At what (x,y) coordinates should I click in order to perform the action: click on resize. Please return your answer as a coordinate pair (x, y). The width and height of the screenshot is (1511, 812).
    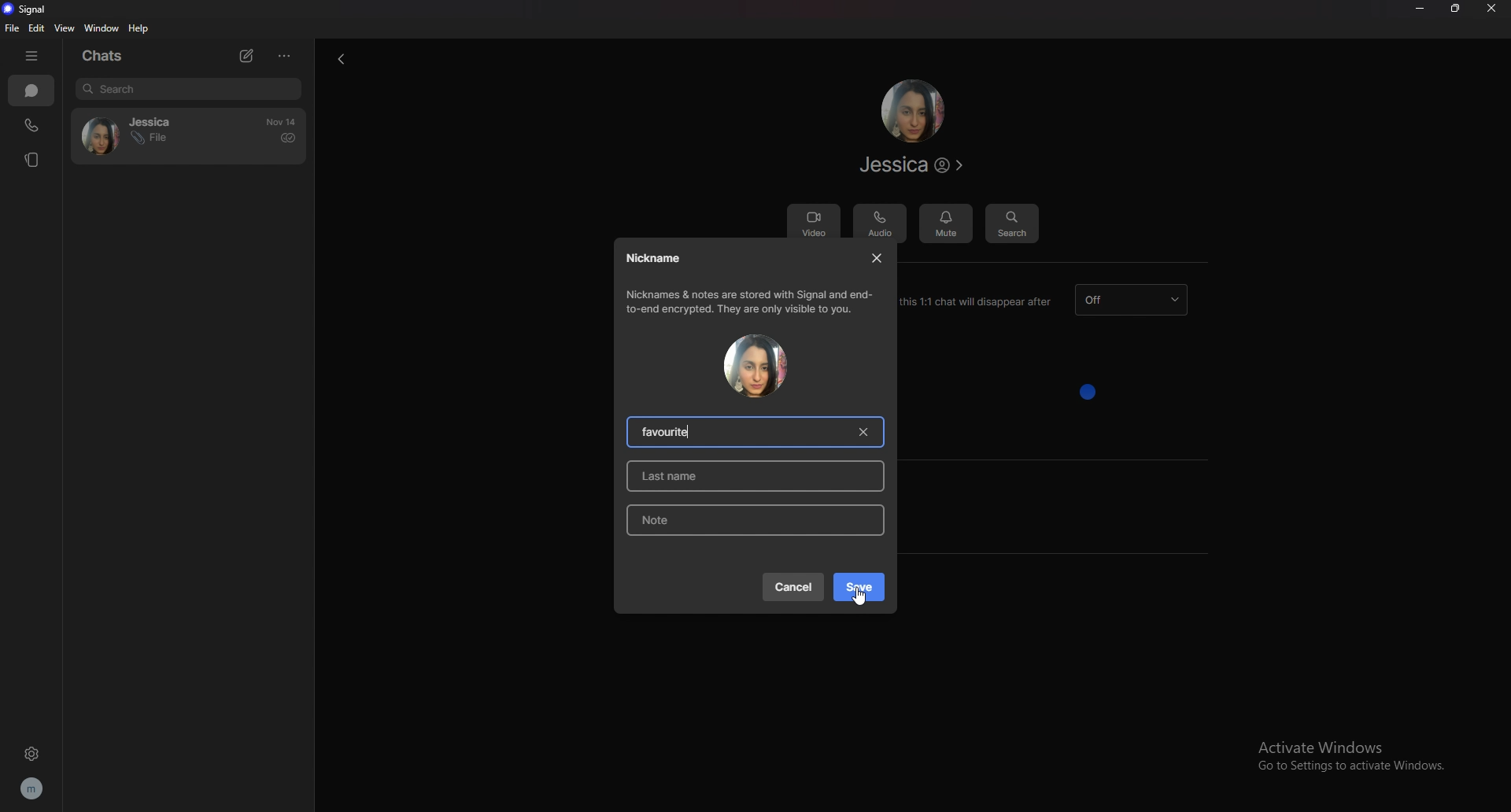
    Looking at the image, I should click on (1461, 10).